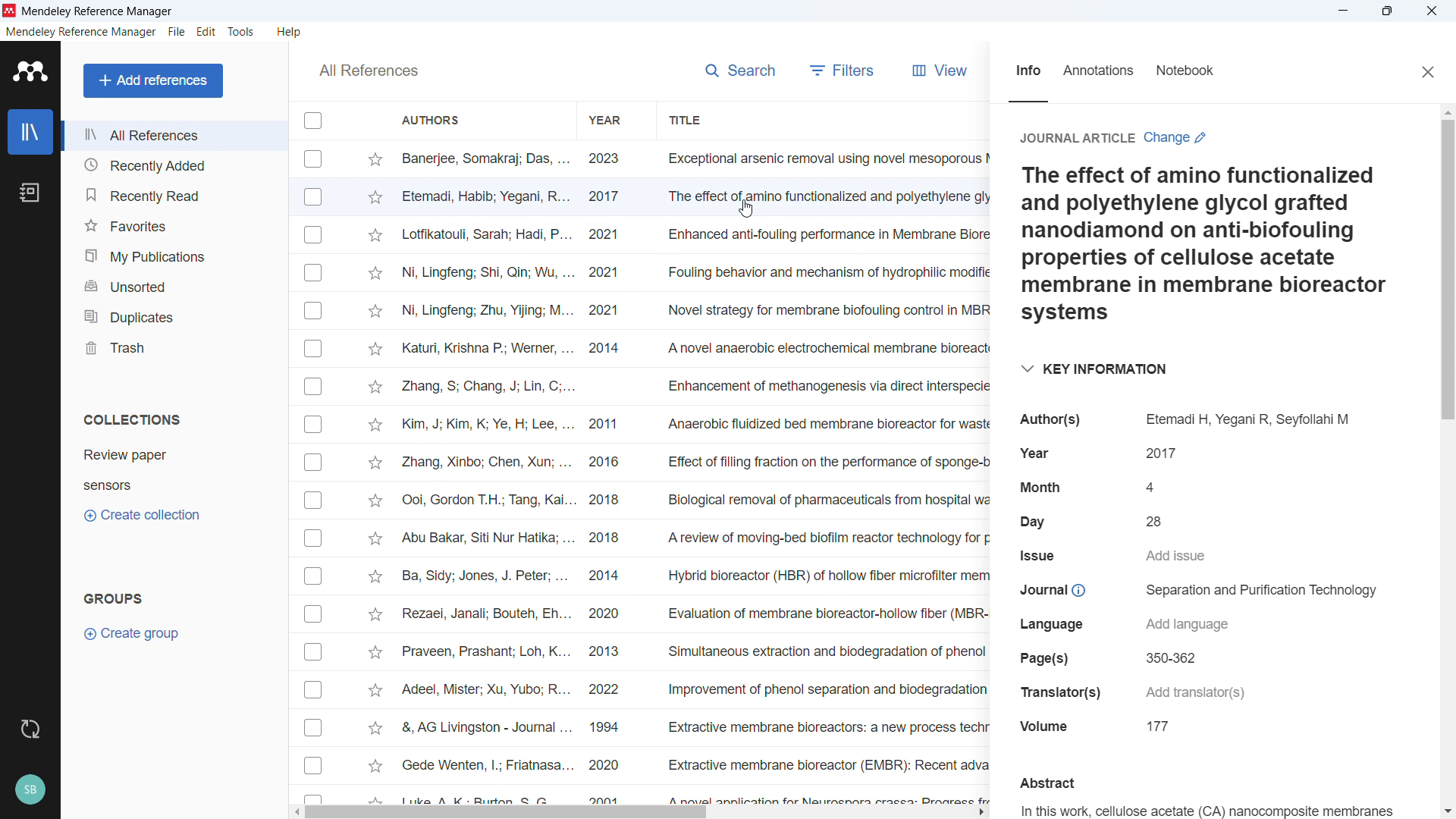 Image resolution: width=1456 pixels, height=819 pixels. I want to click on pages , so click(1108, 657).